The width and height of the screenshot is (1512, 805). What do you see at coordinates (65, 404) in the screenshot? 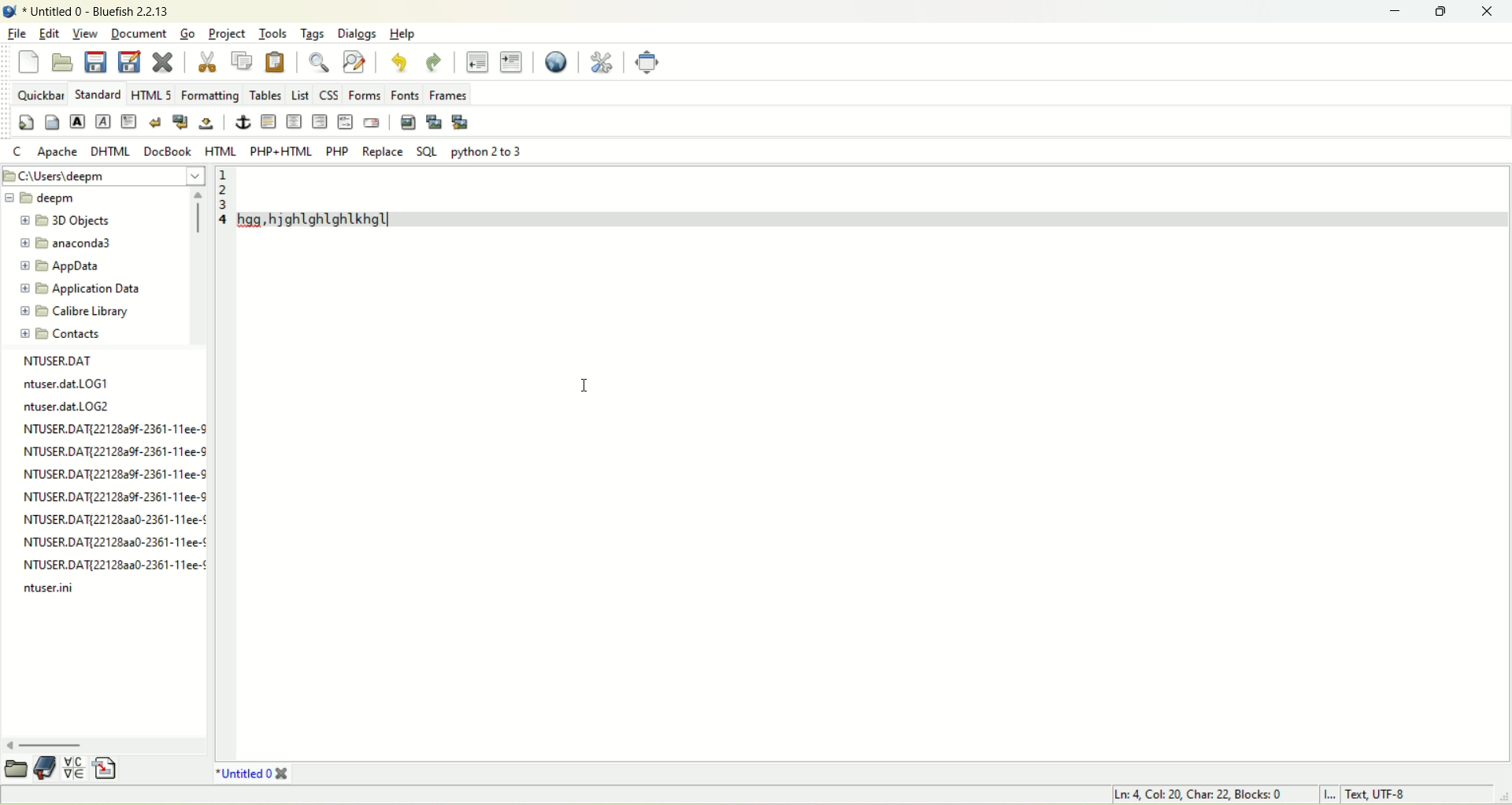
I see `ntuser.dat.LOG2` at bounding box center [65, 404].